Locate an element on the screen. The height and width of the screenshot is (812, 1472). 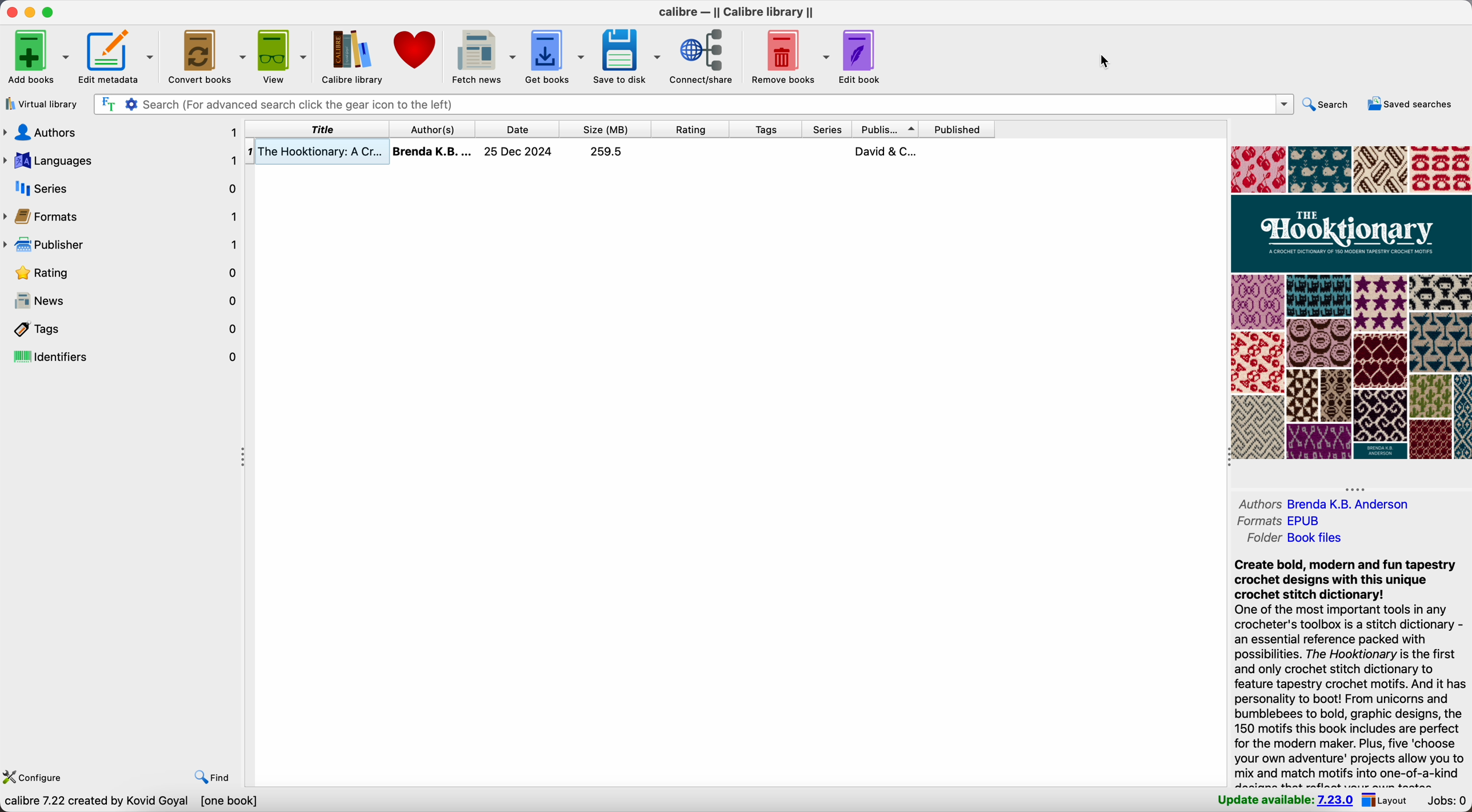
date is located at coordinates (516, 129).